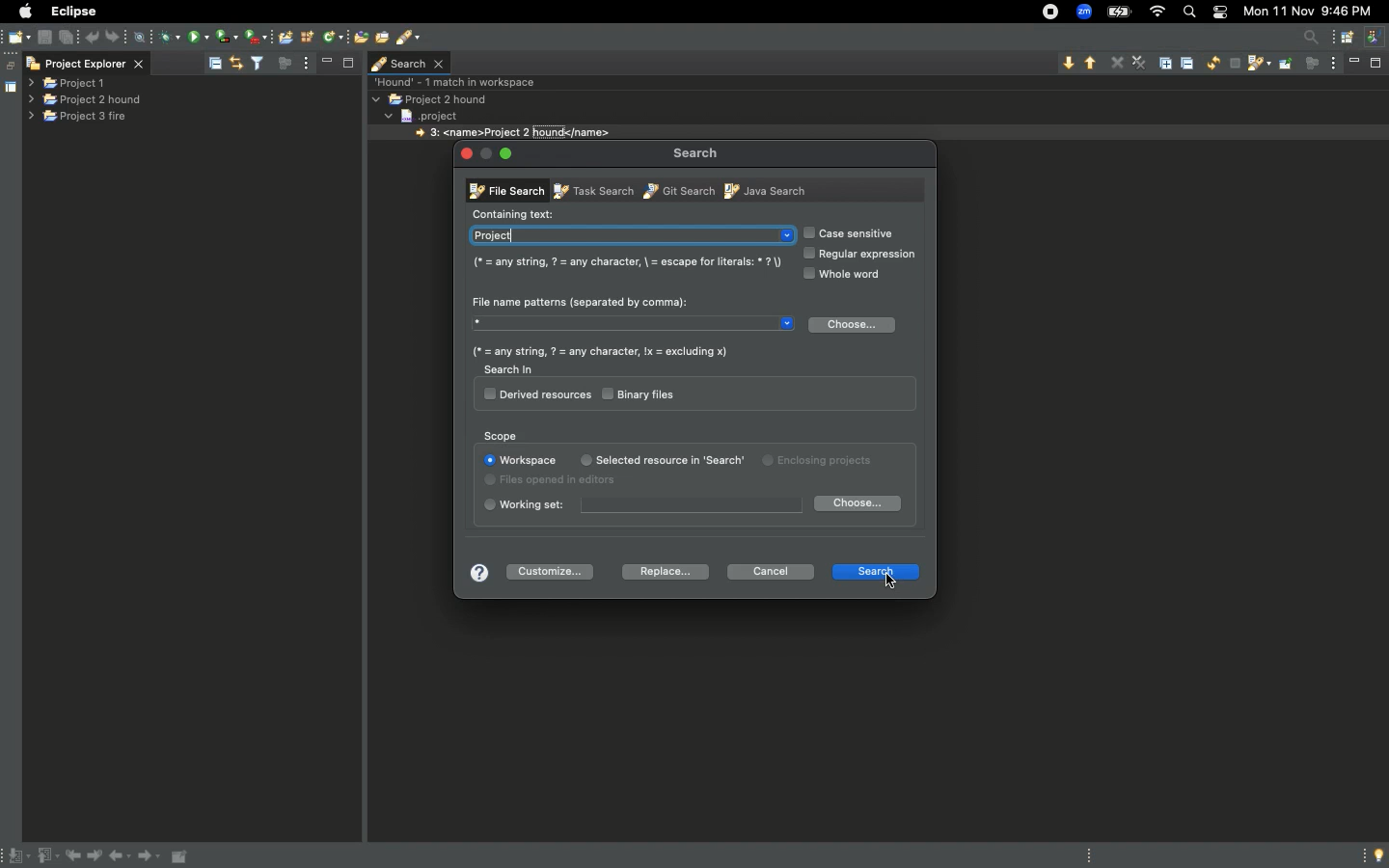 This screenshot has height=868, width=1389. What do you see at coordinates (328, 62) in the screenshot?
I see `minimise` at bounding box center [328, 62].